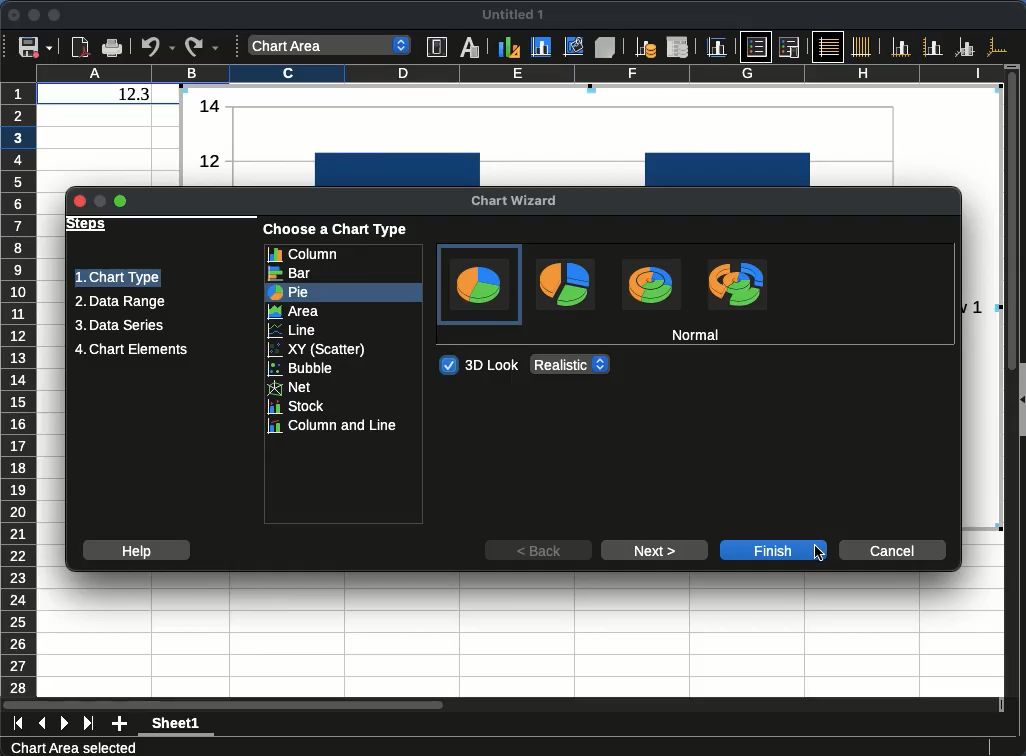  Describe the element at coordinates (519, 72) in the screenshot. I see `column ` at that location.